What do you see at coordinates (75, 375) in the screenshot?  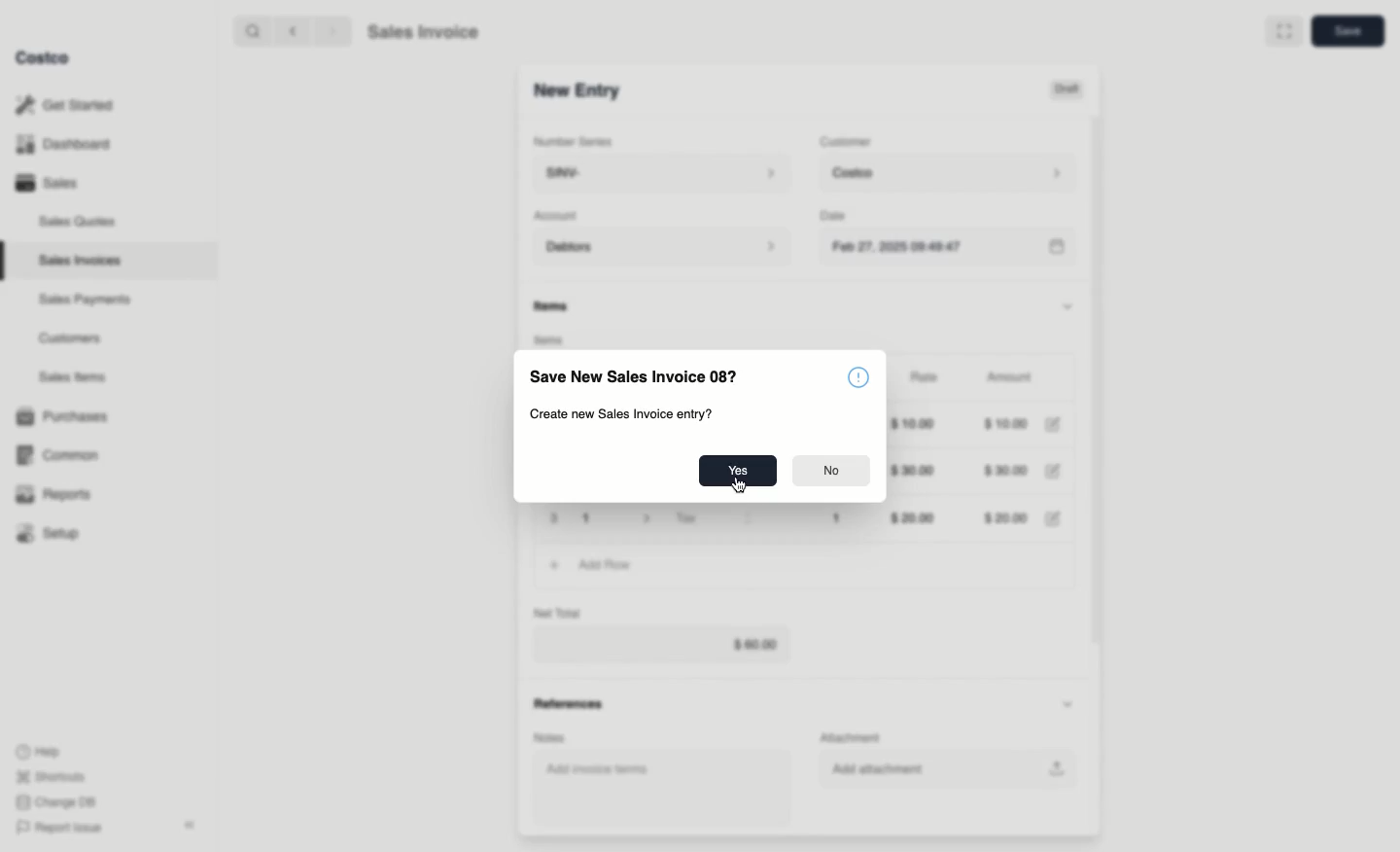 I see `Sales Items` at bounding box center [75, 375].